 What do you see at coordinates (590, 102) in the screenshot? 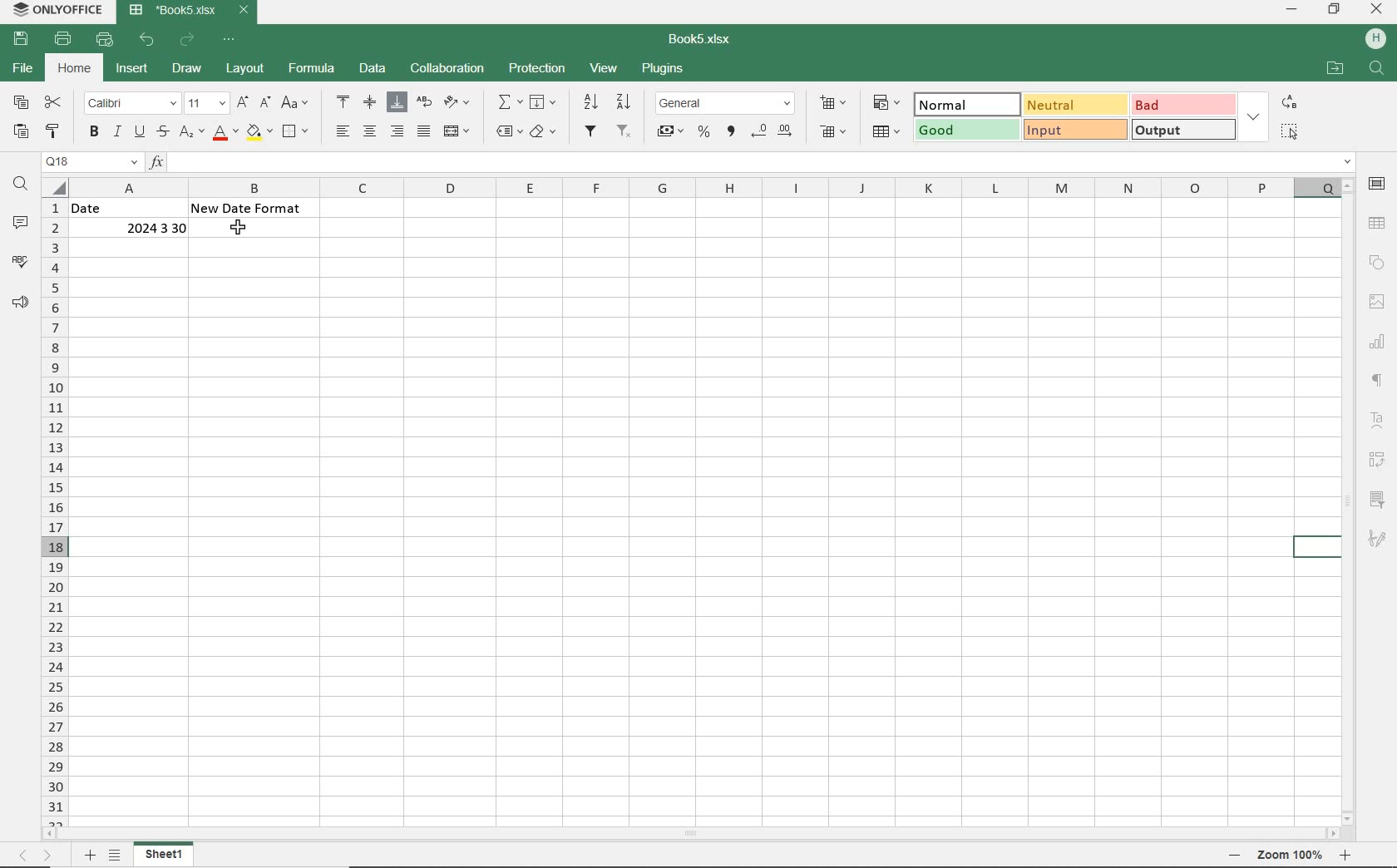
I see `SORT ASCENDING` at bounding box center [590, 102].